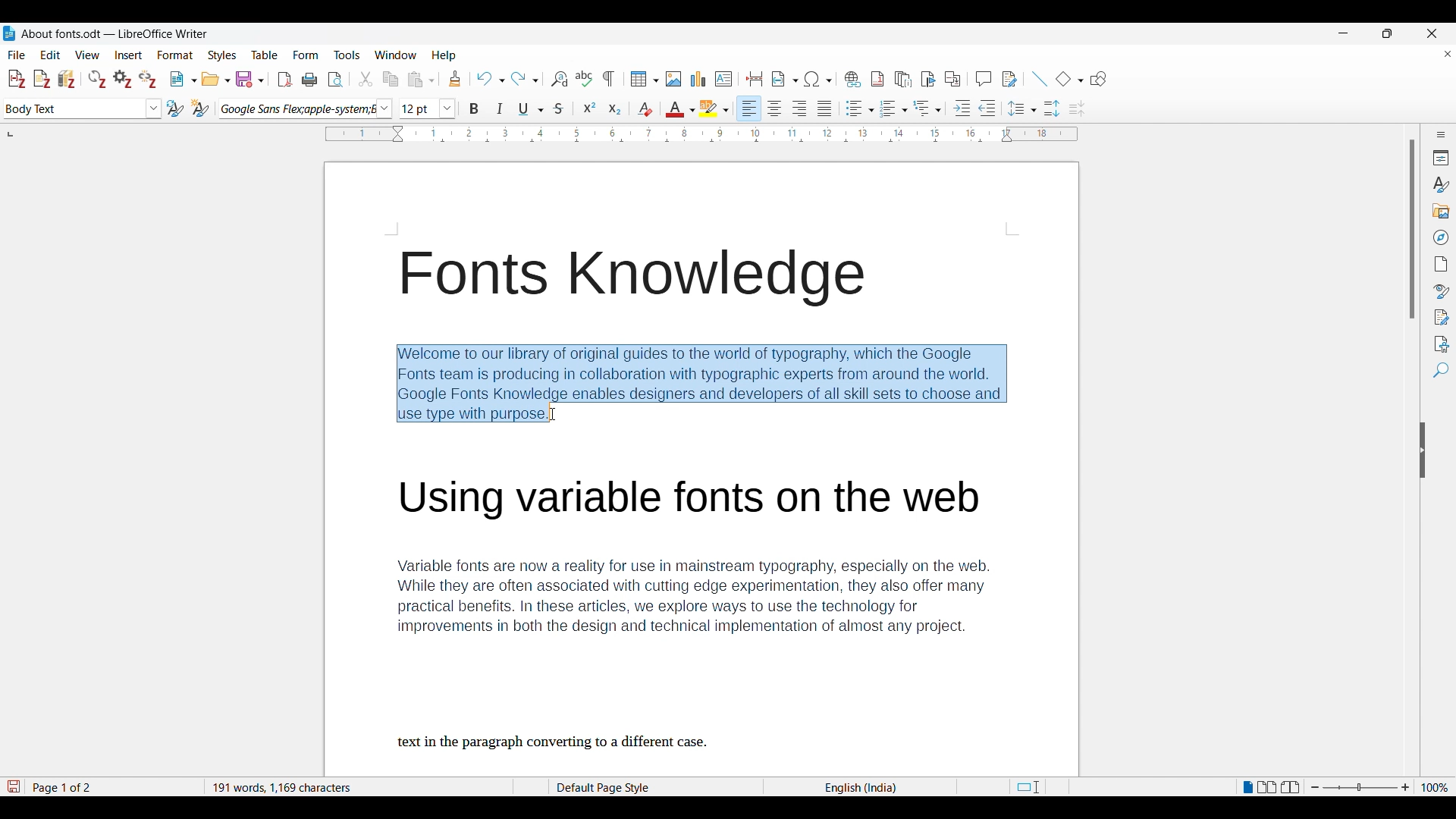 Image resolution: width=1456 pixels, height=819 pixels. Describe the element at coordinates (702, 135) in the screenshot. I see `Horizontal scale` at that location.